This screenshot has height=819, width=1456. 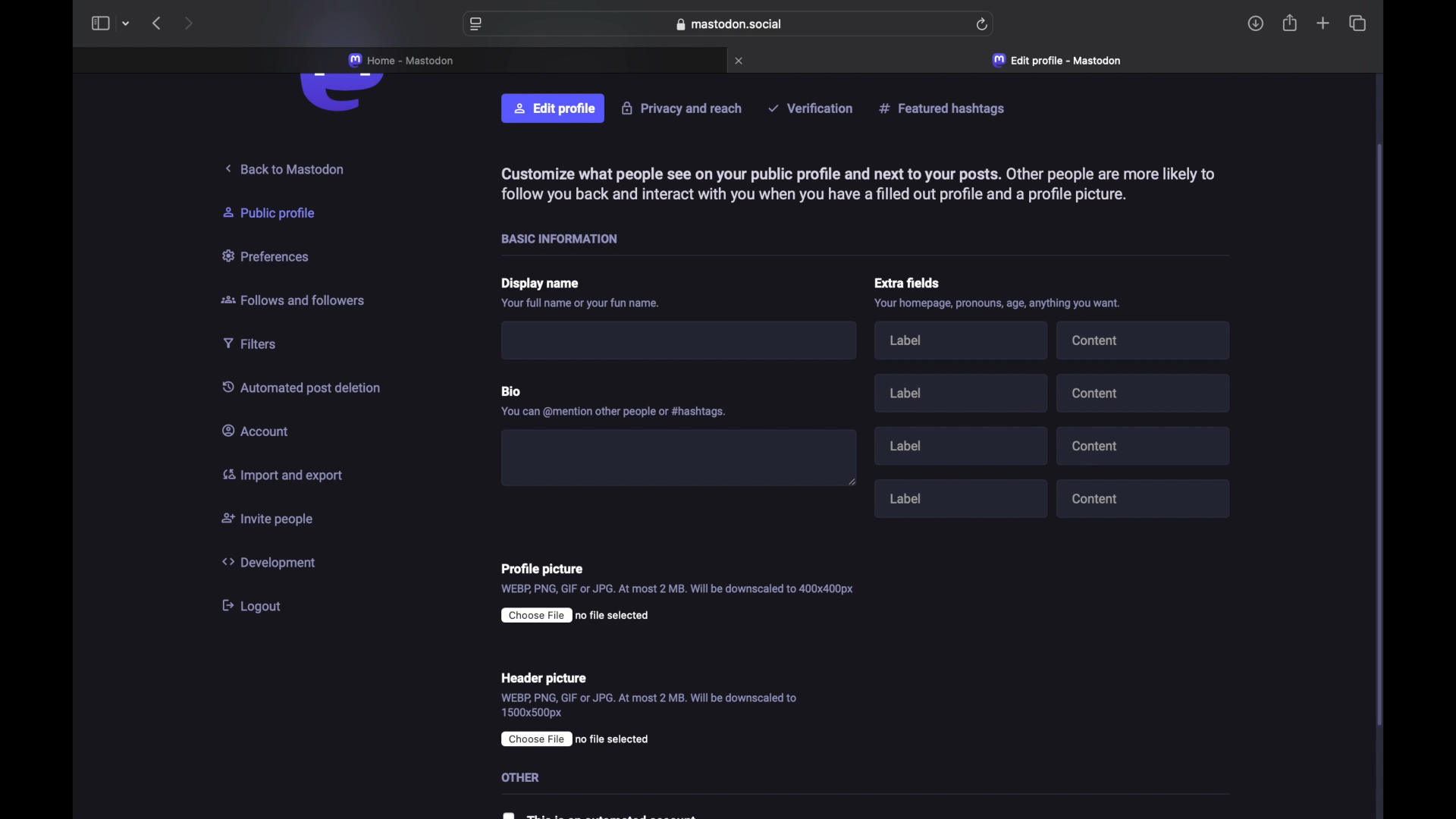 I want to click on next, so click(x=188, y=23).